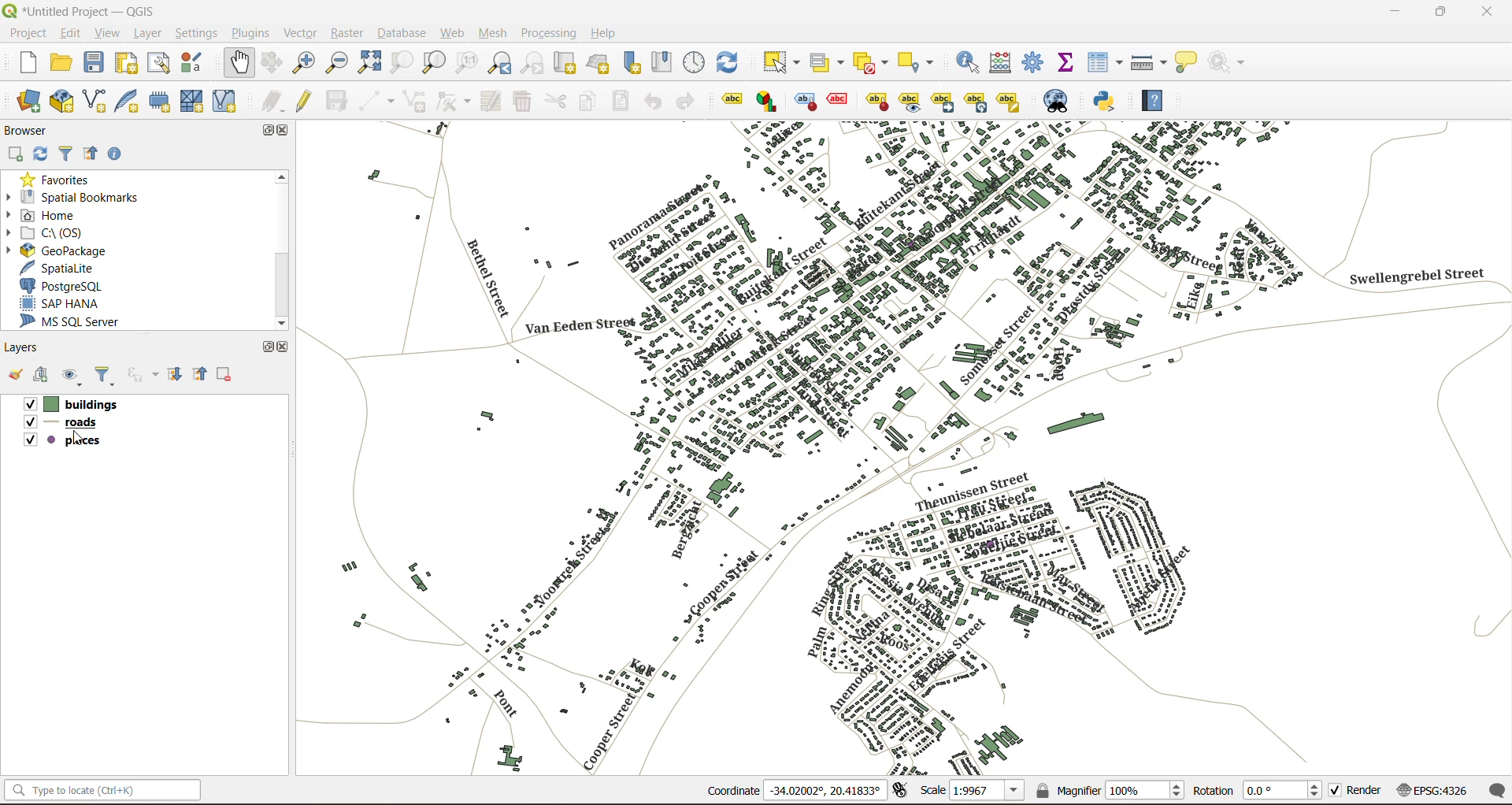  Describe the element at coordinates (524, 102) in the screenshot. I see `delete` at that location.